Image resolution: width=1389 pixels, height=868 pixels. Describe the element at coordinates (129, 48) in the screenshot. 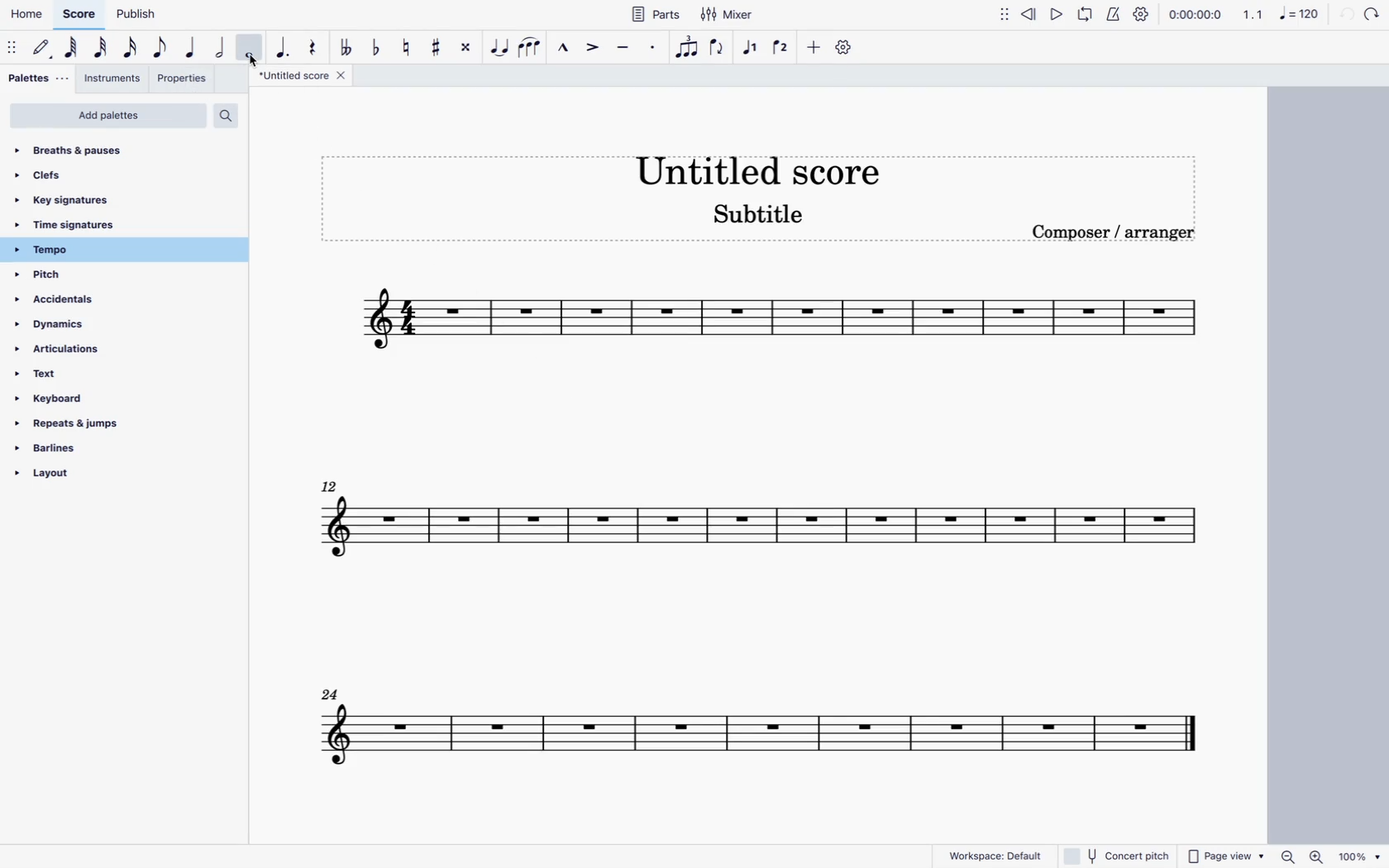

I see `16th note` at that location.